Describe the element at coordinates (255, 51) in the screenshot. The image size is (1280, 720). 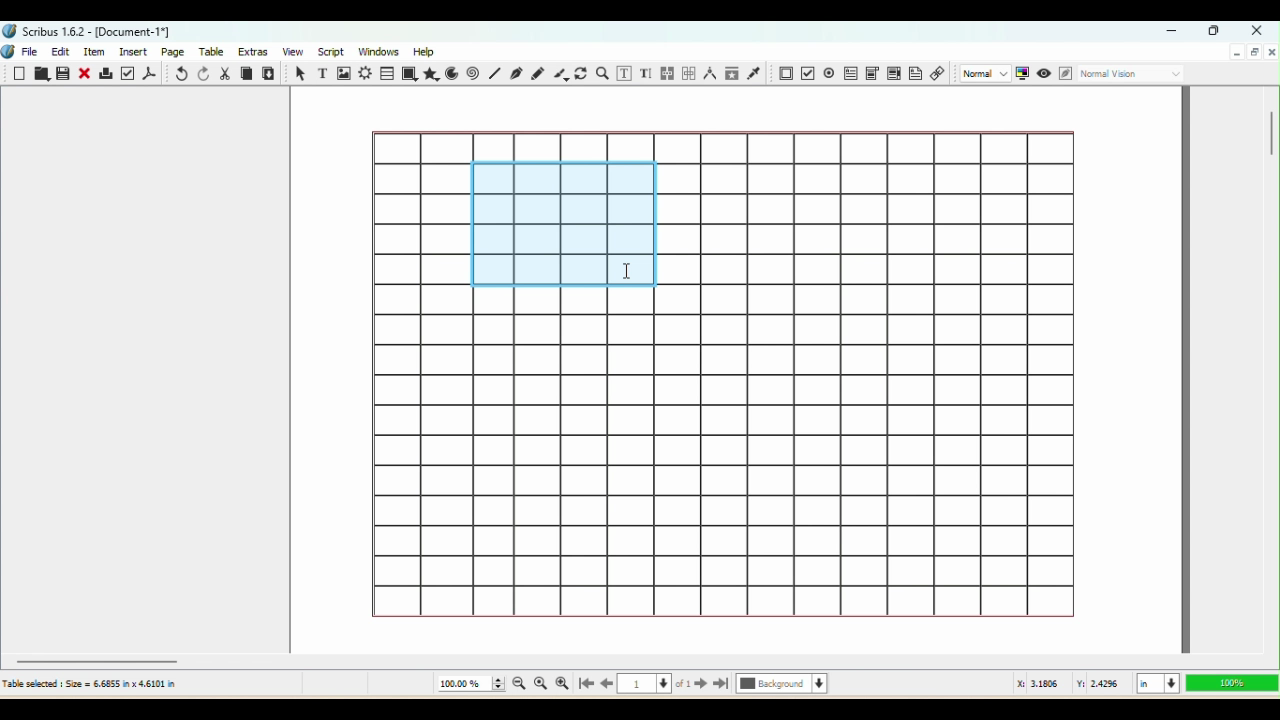
I see `Extras` at that location.